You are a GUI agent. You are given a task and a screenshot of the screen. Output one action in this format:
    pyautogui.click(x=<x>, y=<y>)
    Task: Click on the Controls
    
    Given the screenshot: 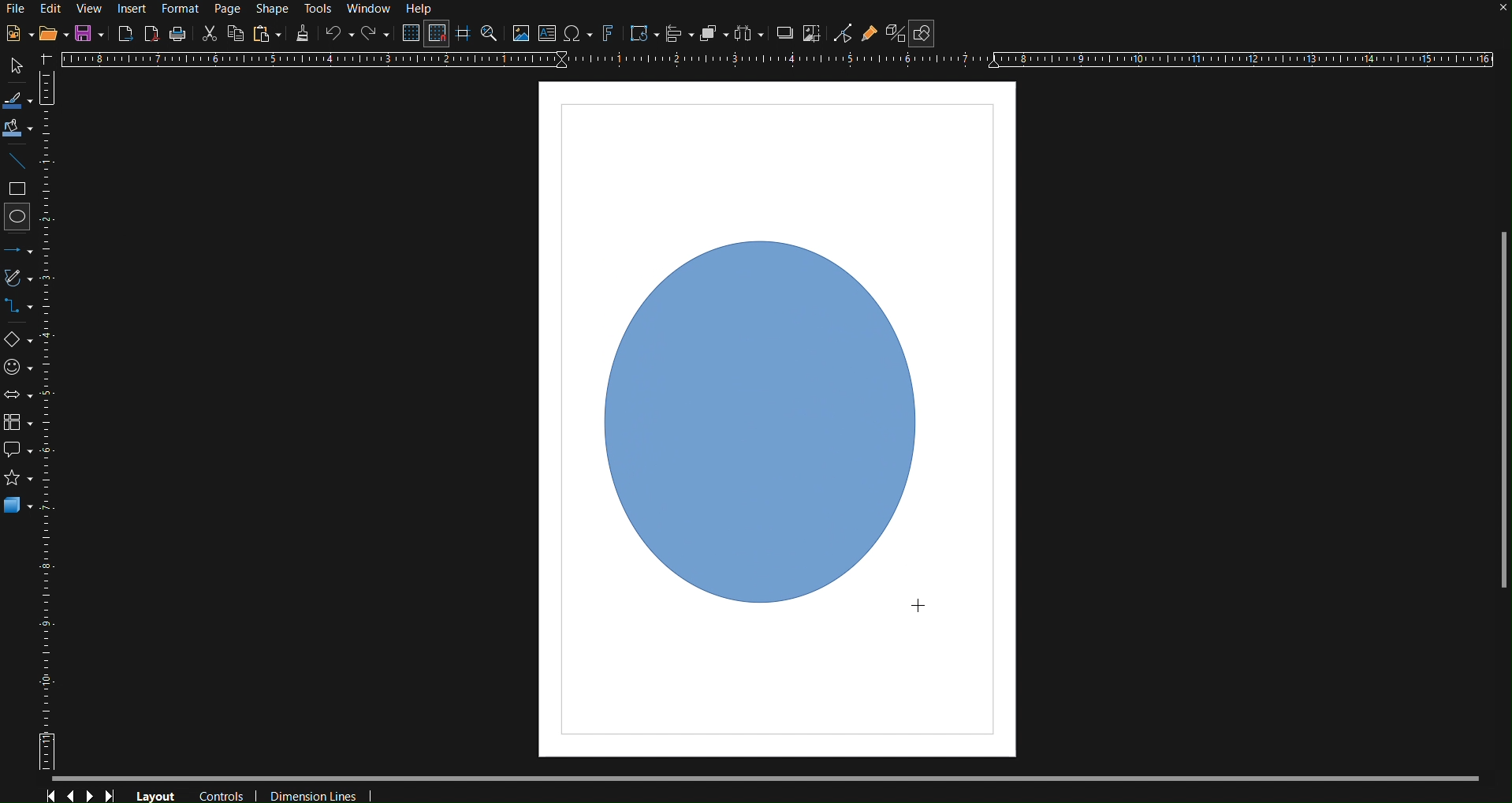 What is the action you would take?
    pyautogui.click(x=225, y=794)
    